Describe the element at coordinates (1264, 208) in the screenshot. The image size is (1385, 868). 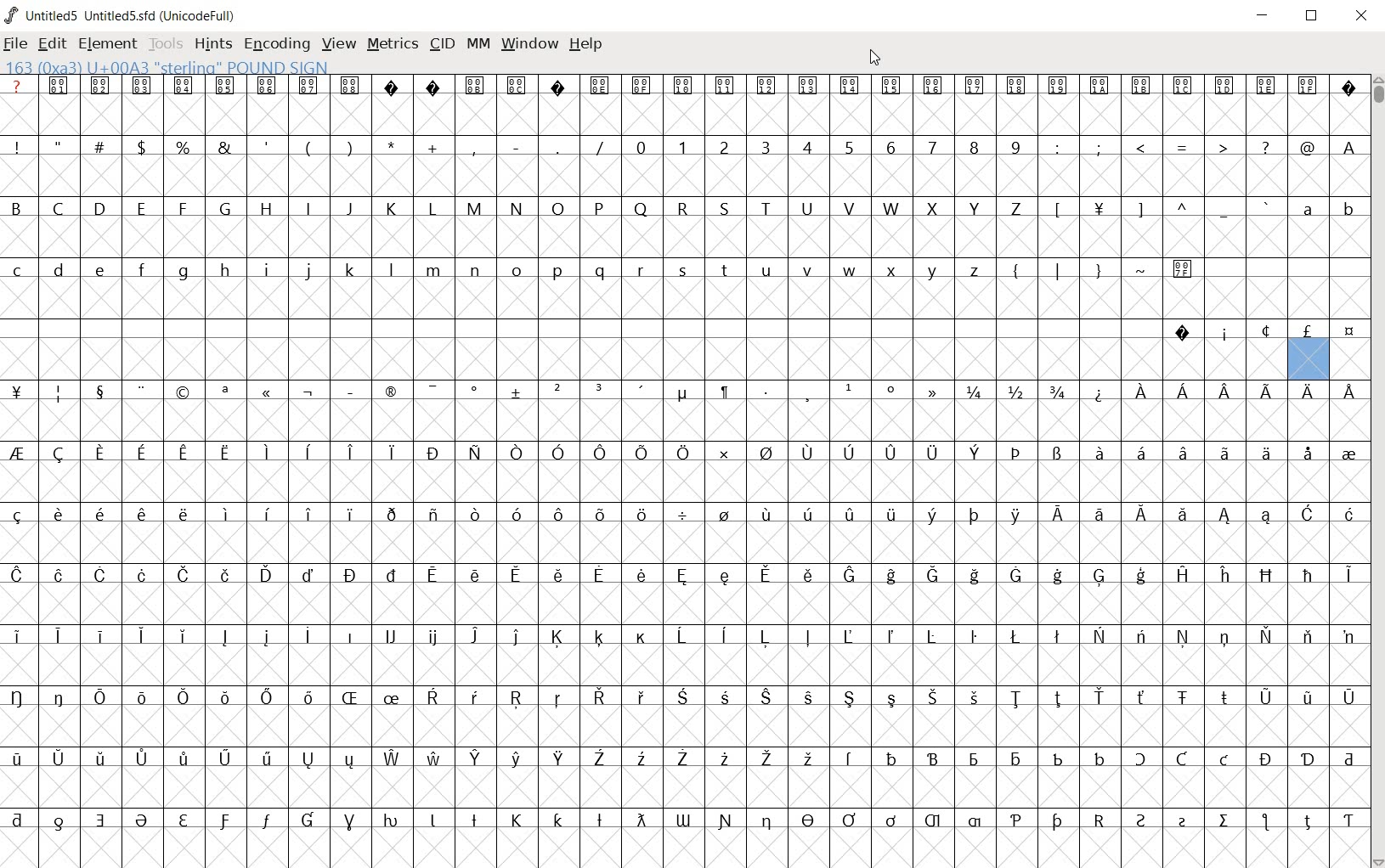
I see ``` at that location.